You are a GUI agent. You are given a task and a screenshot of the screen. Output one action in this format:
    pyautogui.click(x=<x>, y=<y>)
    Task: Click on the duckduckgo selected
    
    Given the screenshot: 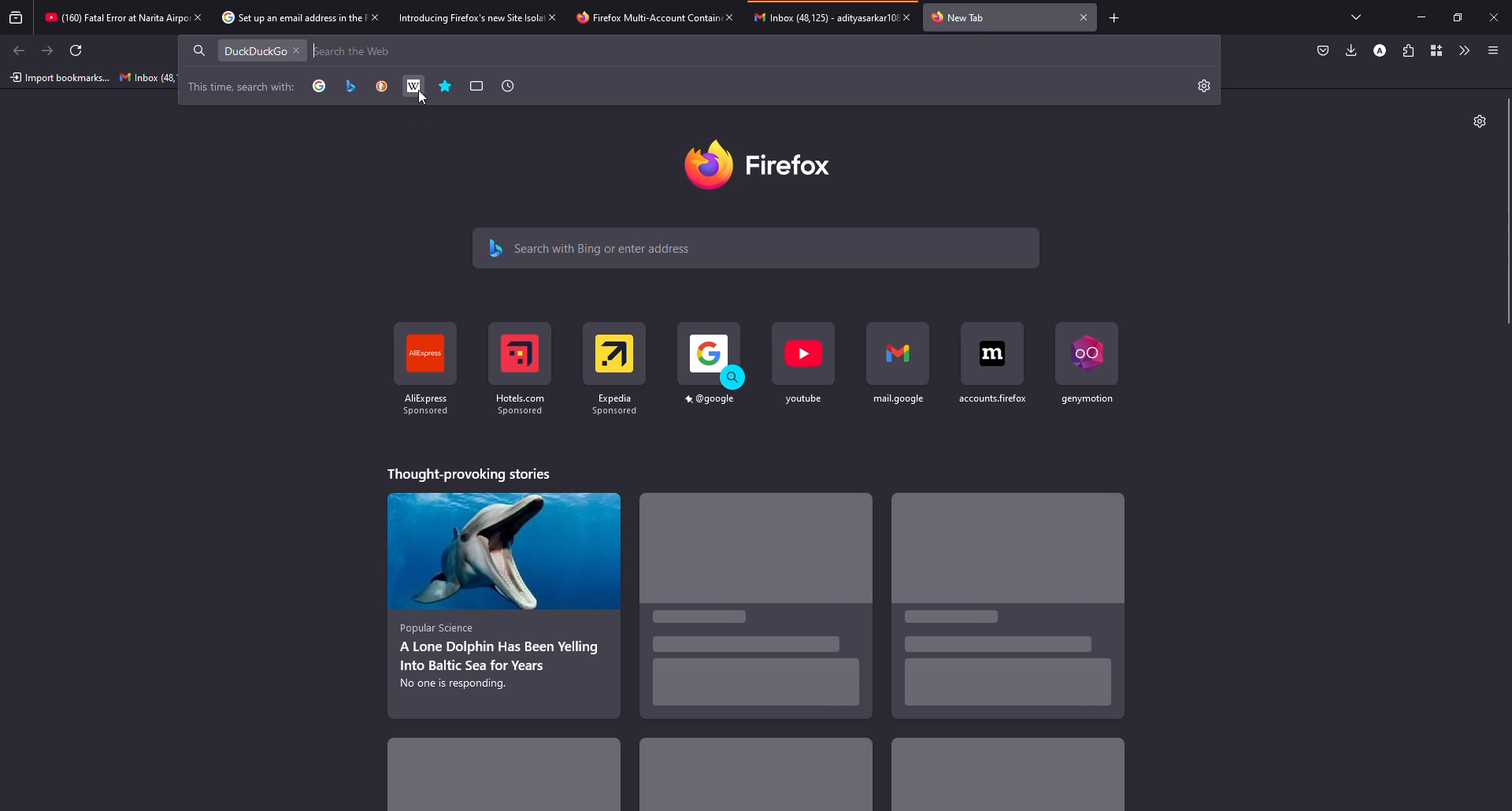 What is the action you would take?
    pyautogui.click(x=252, y=52)
    